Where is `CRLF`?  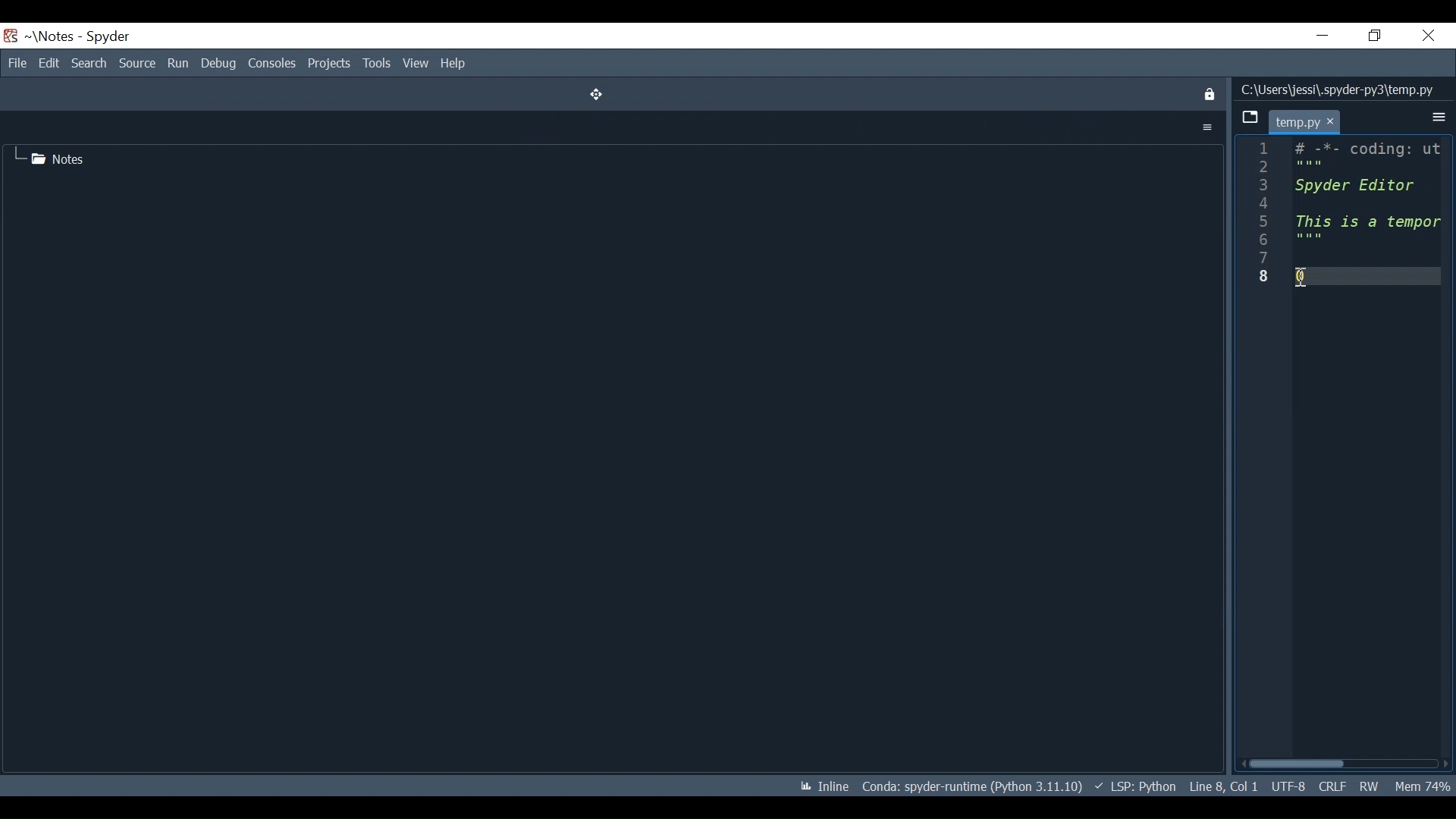 CRLF is located at coordinates (1332, 785).